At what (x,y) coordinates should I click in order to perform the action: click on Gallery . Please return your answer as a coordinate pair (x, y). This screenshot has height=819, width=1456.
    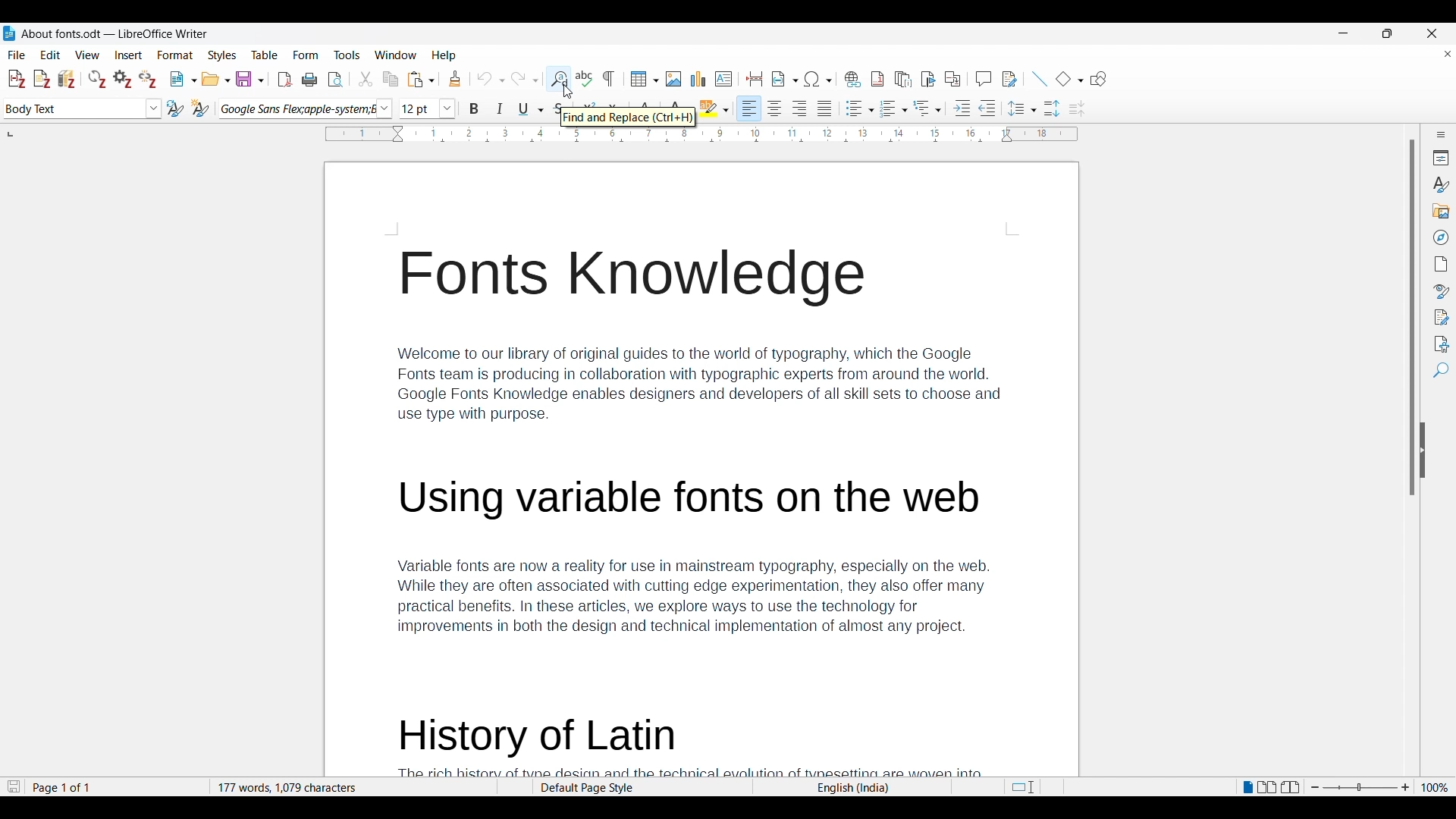
    Looking at the image, I should click on (1439, 211).